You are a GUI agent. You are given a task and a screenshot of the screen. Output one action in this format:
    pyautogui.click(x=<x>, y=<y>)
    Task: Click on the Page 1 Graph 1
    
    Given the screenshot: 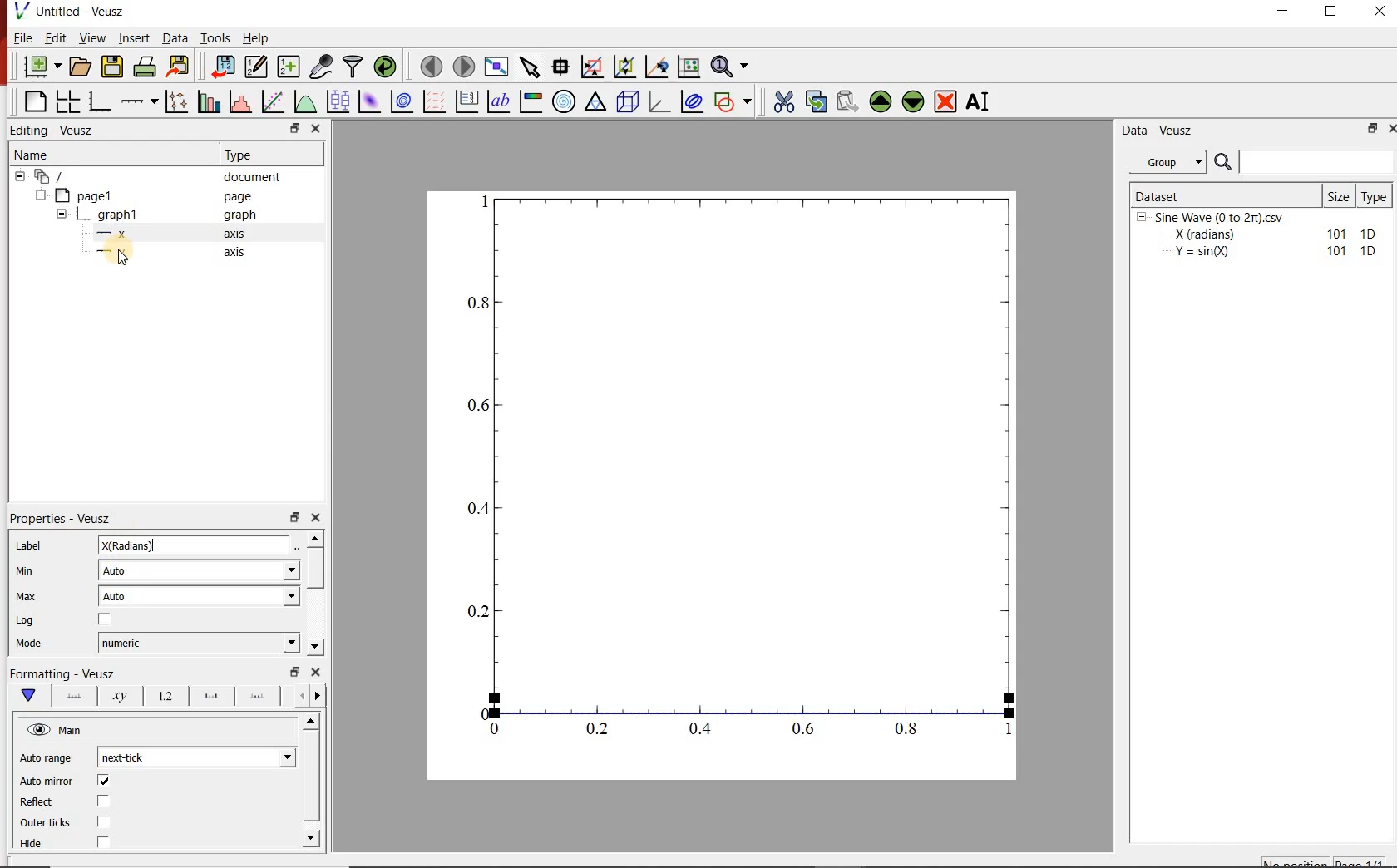 What is the action you would take?
    pyautogui.click(x=80, y=216)
    